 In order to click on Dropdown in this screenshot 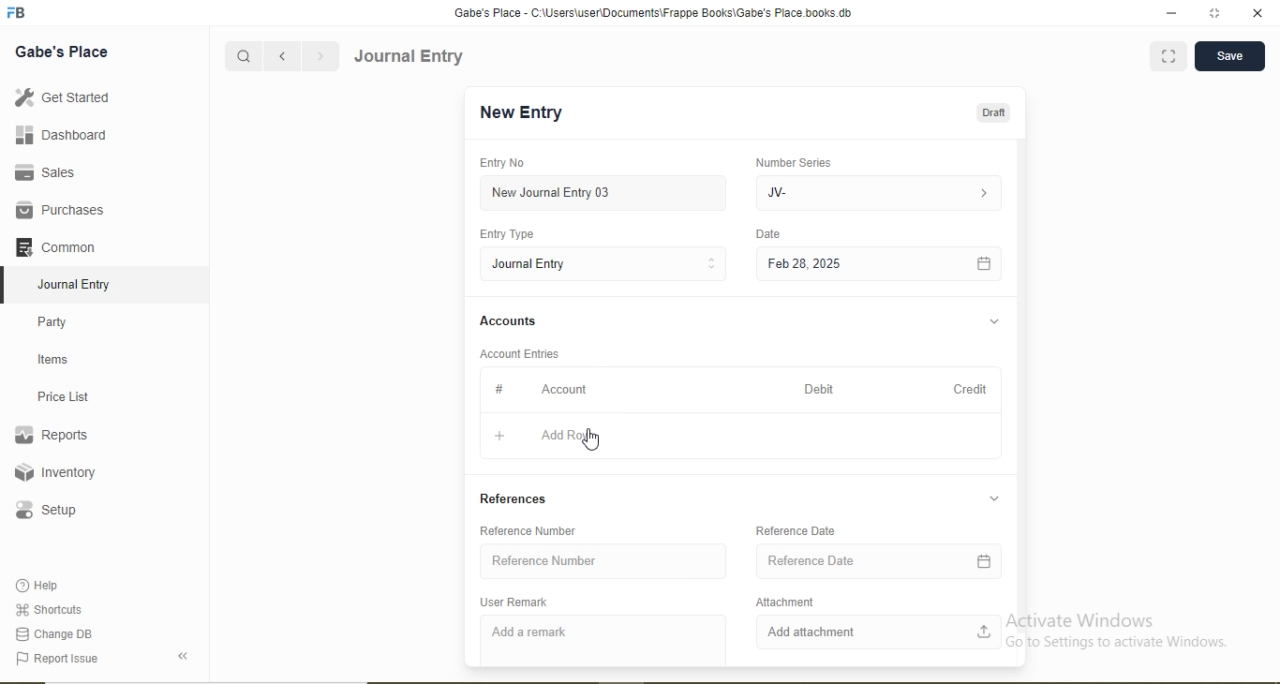, I will do `click(994, 498)`.